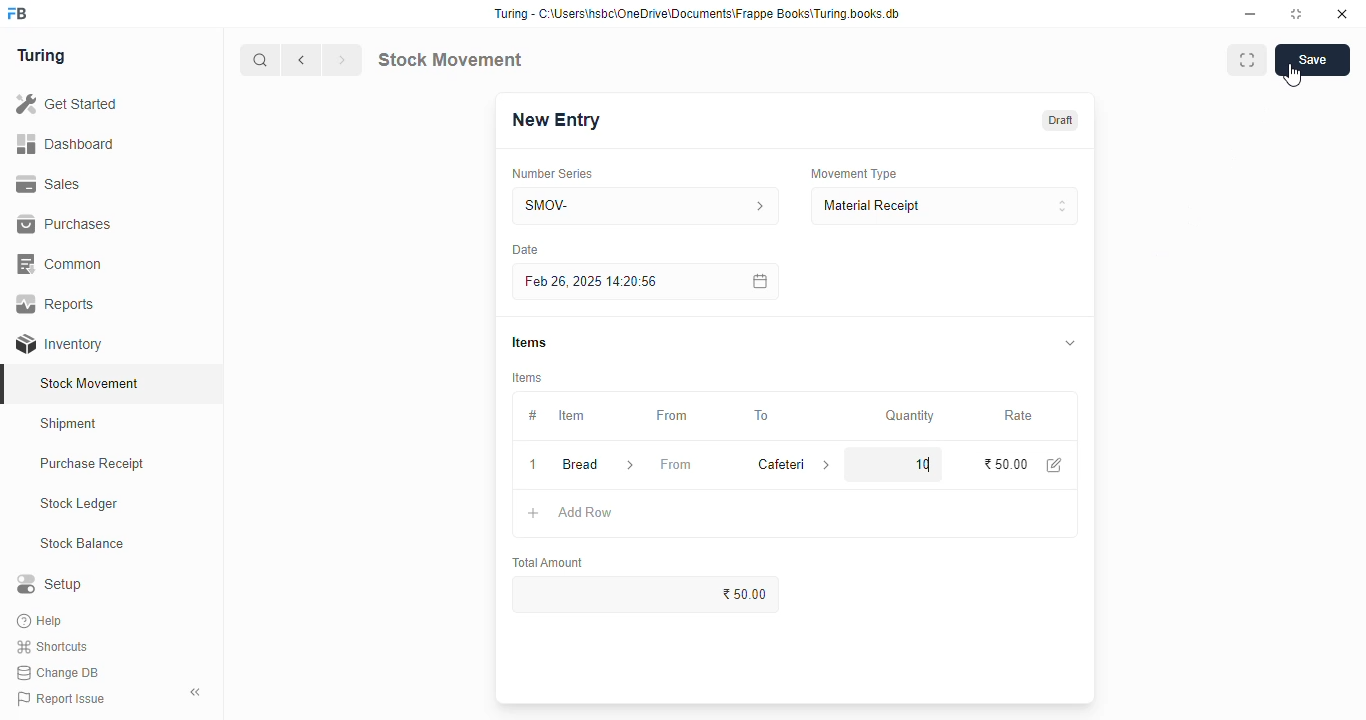  Describe the element at coordinates (1071, 342) in the screenshot. I see `toggle expand/collapse` at that location.